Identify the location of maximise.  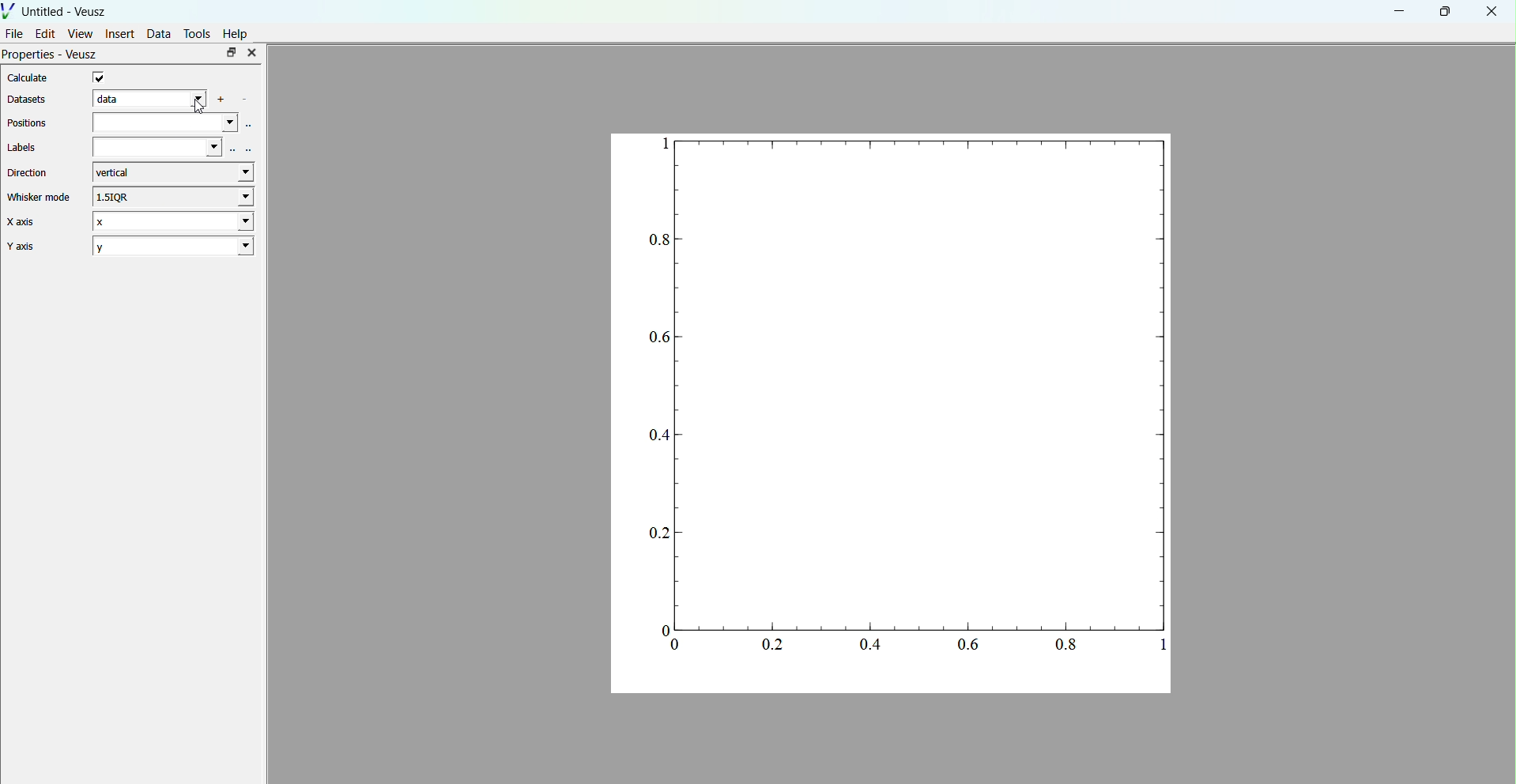
(1442, 11).